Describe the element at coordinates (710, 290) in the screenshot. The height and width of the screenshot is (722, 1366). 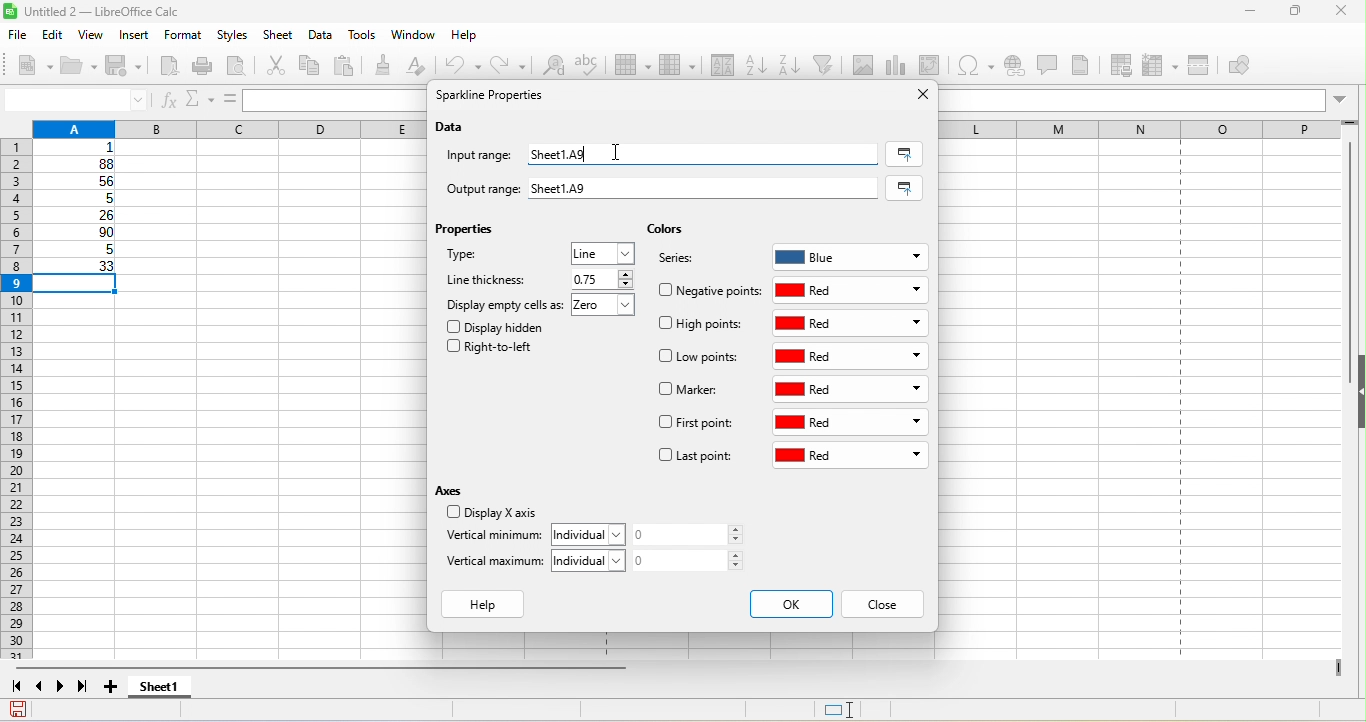
I see `negative points` at that location.